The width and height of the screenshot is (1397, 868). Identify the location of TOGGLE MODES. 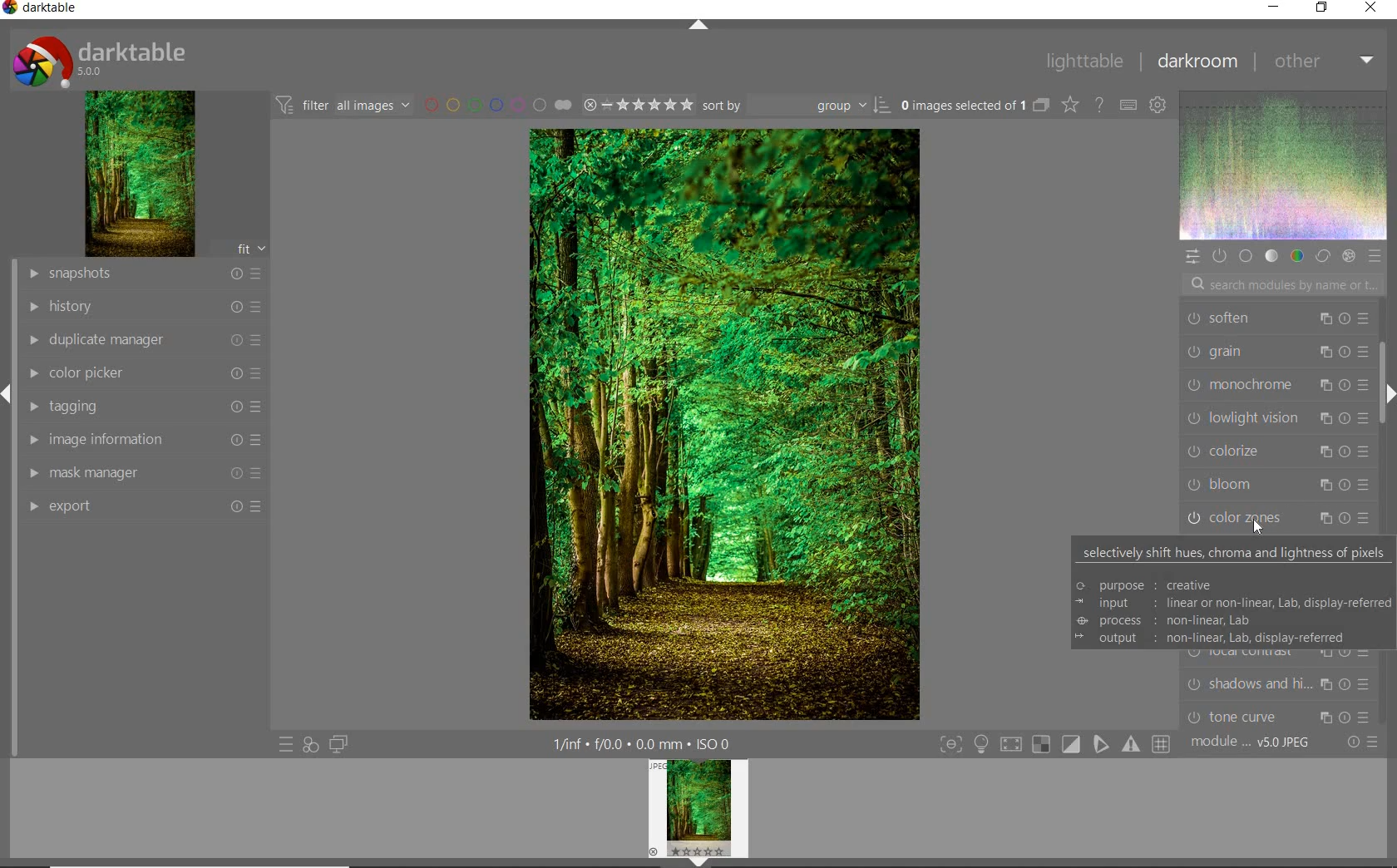
(1054, 745).